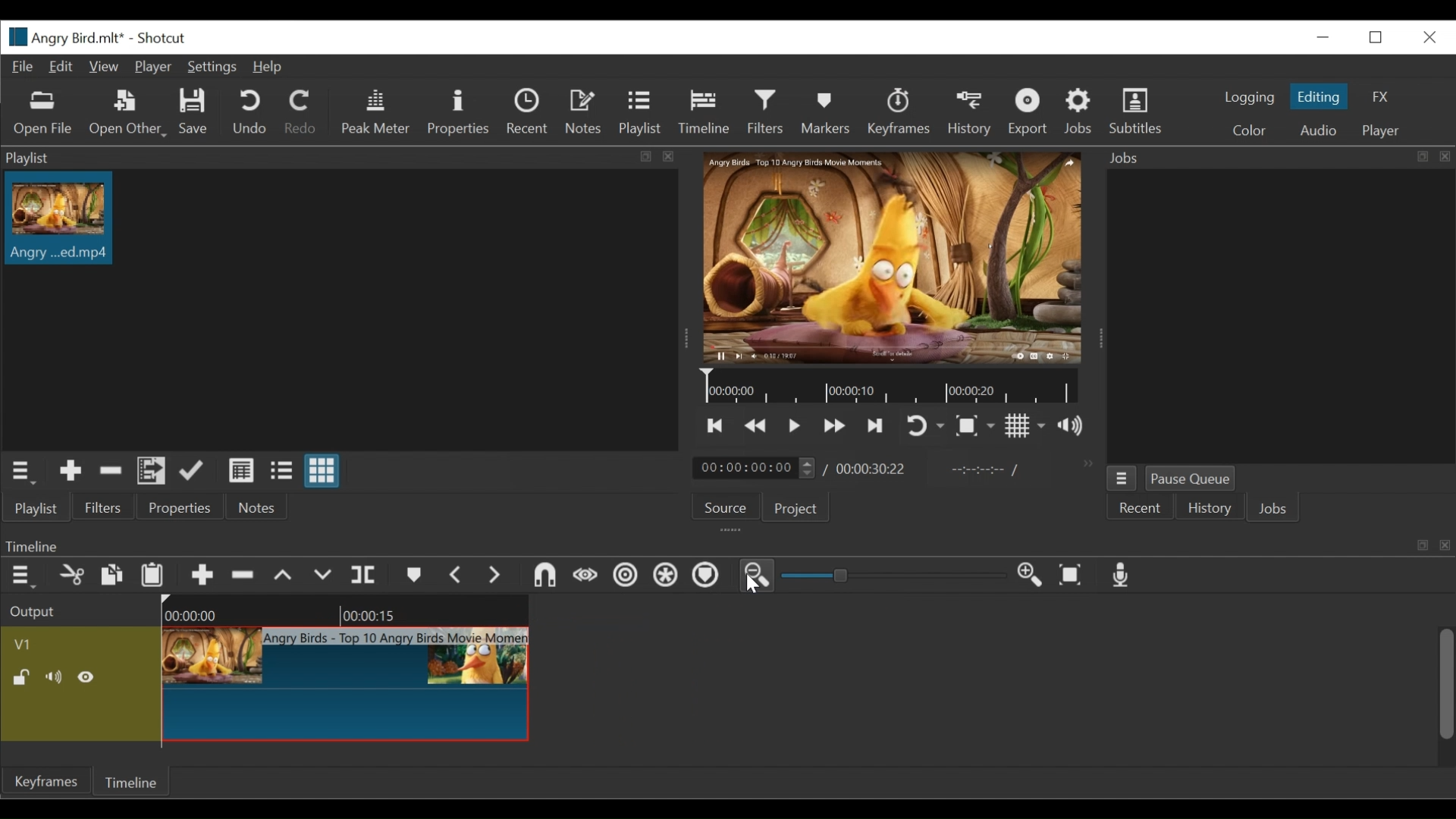 The image size is (1456, 819). I want to click on Clip at thumbnail, so click(348, 684).